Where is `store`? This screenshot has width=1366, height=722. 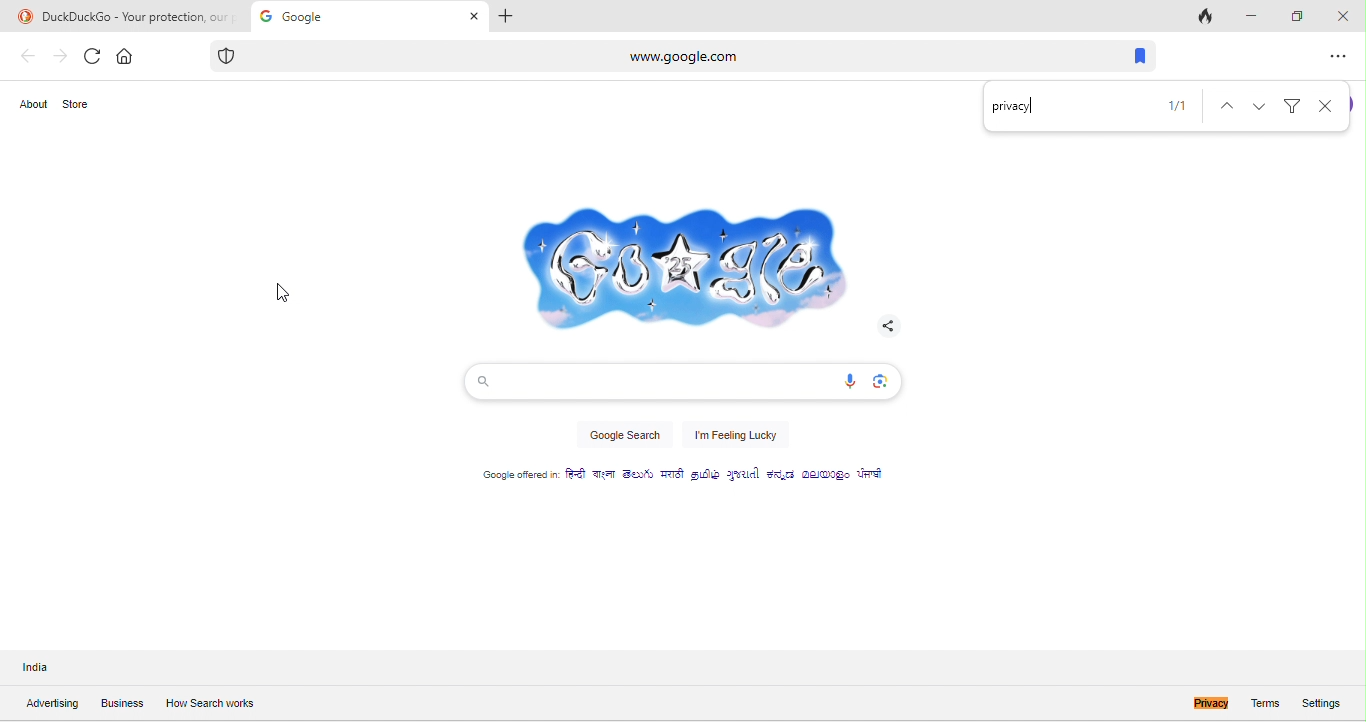 store is located at coordinates (83, 104).